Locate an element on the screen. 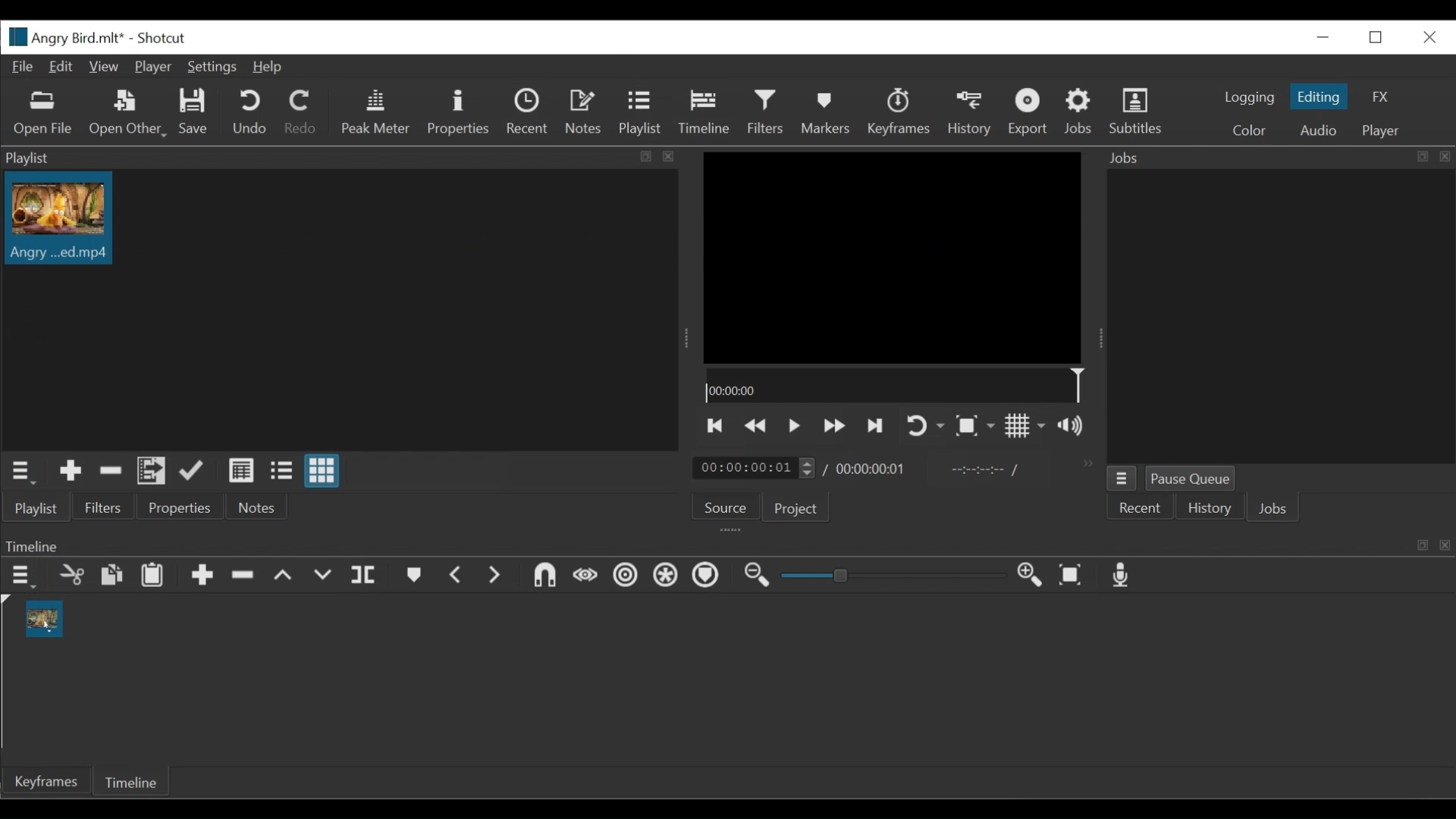  Timeline is located at coordinates (704, 113).